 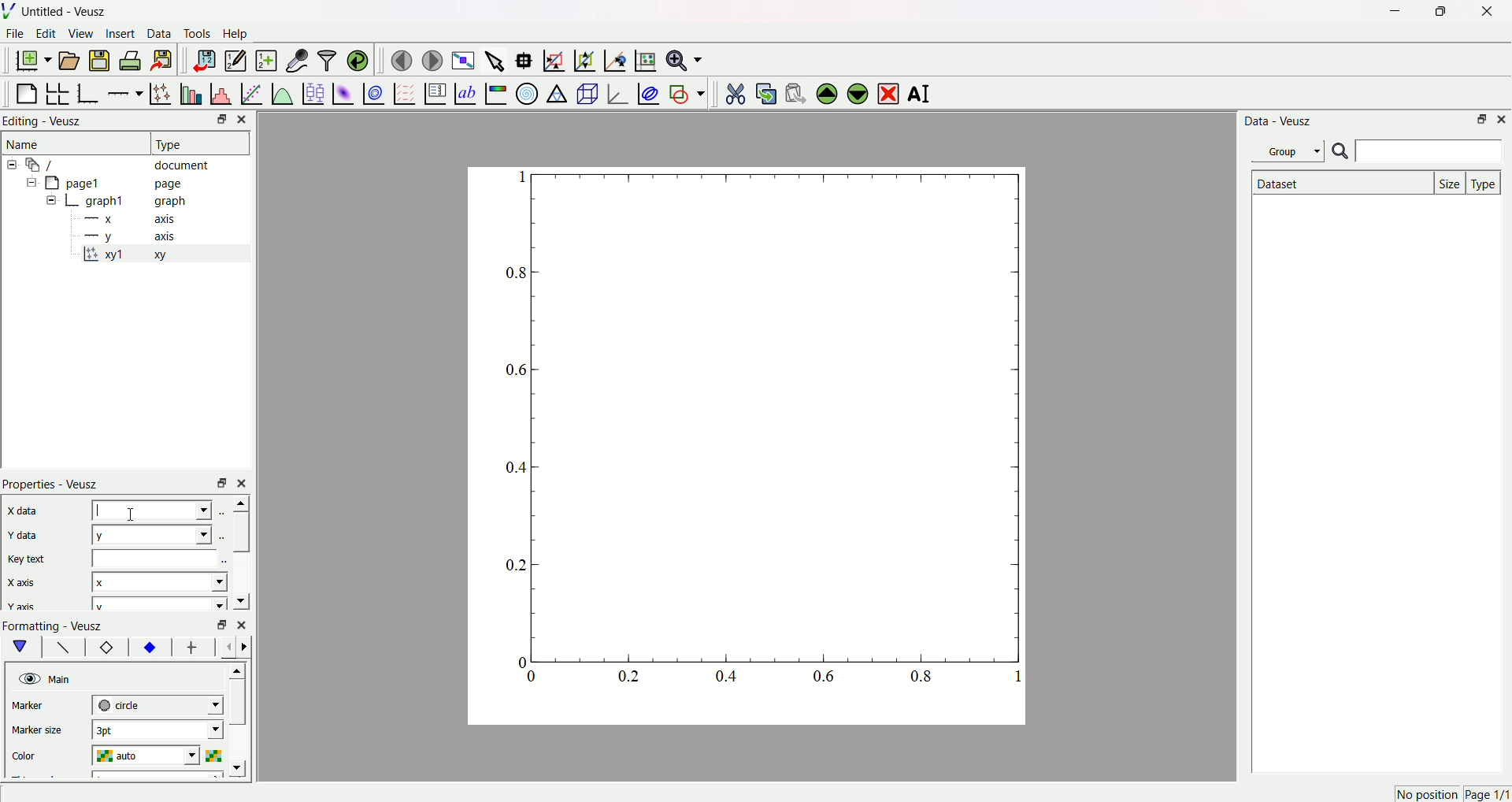 I want to click on draw rectangle on zoom graph axes, so click(x=554, y=58).